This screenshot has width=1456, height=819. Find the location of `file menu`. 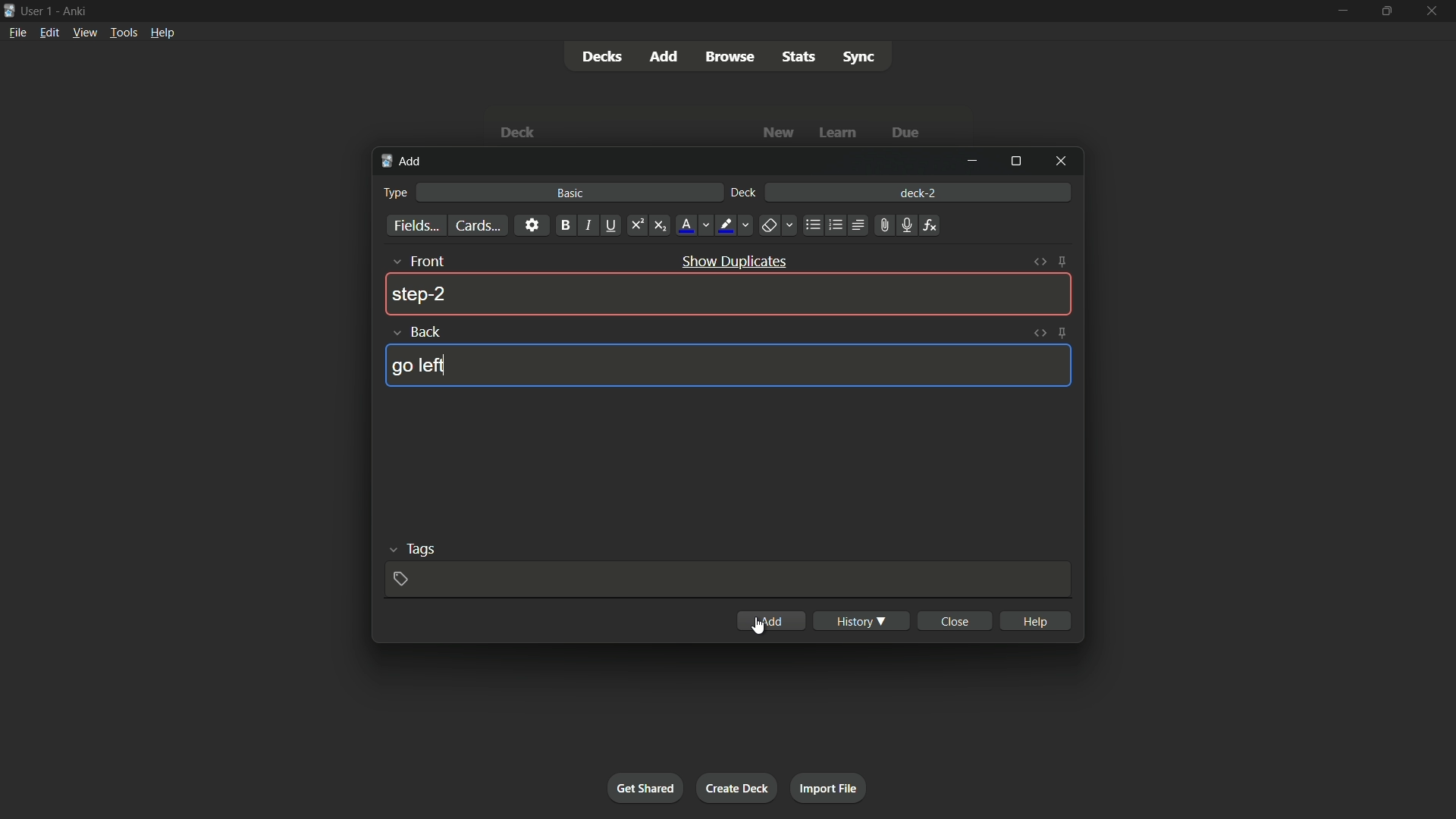

file menu is located at coordinates (16, 33).